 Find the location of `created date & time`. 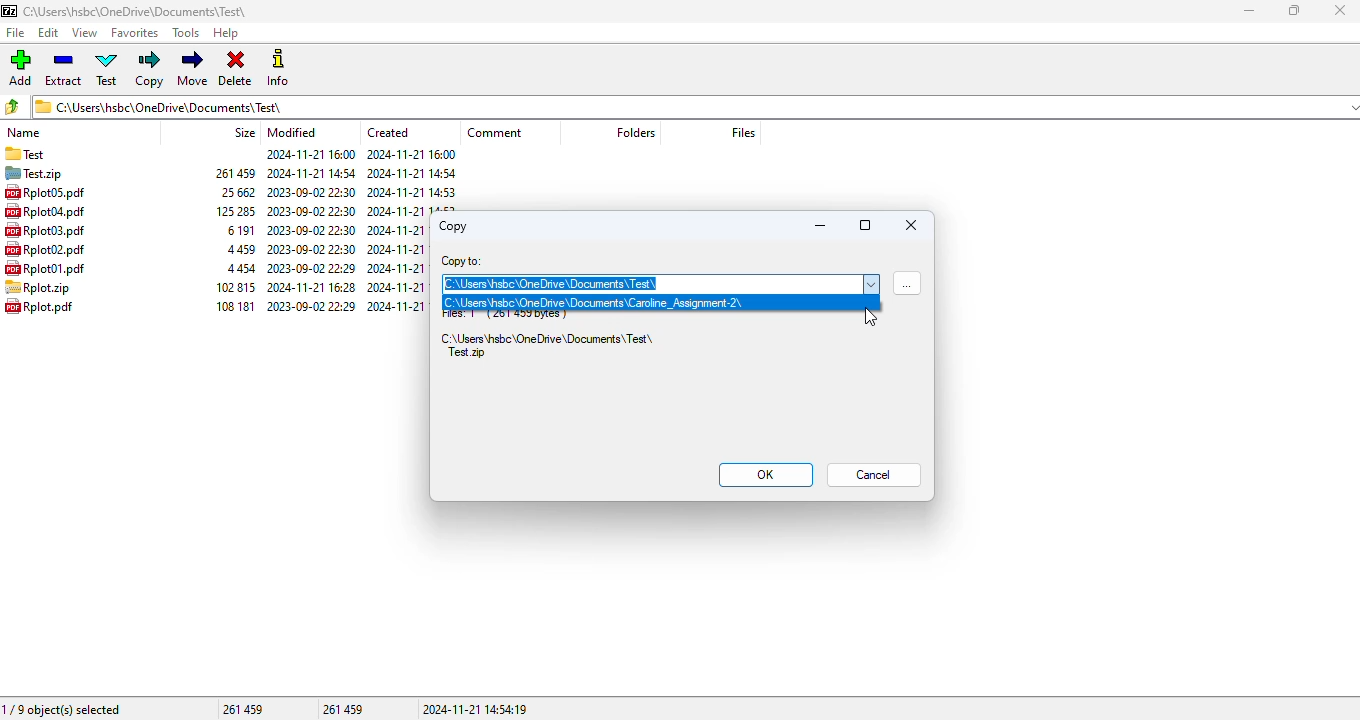

created date & time is located at coordinates (397, 305).